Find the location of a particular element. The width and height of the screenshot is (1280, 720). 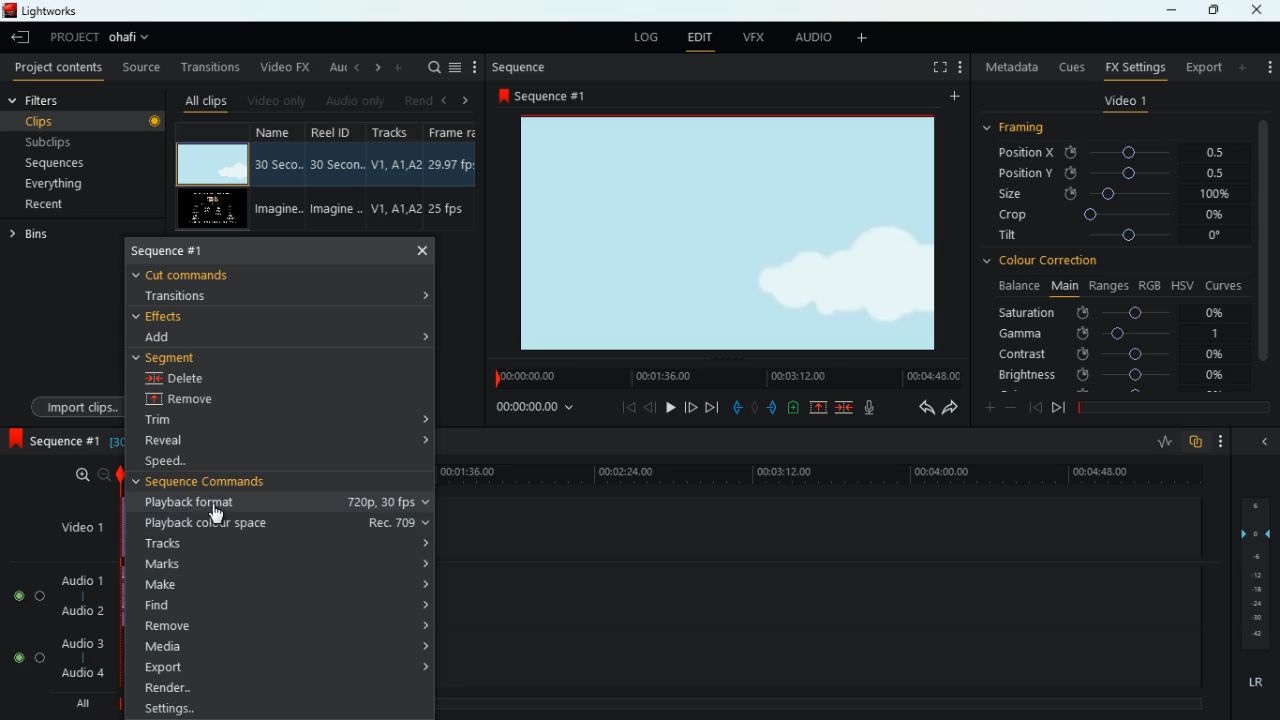

back is located at coordinates (924, 407).